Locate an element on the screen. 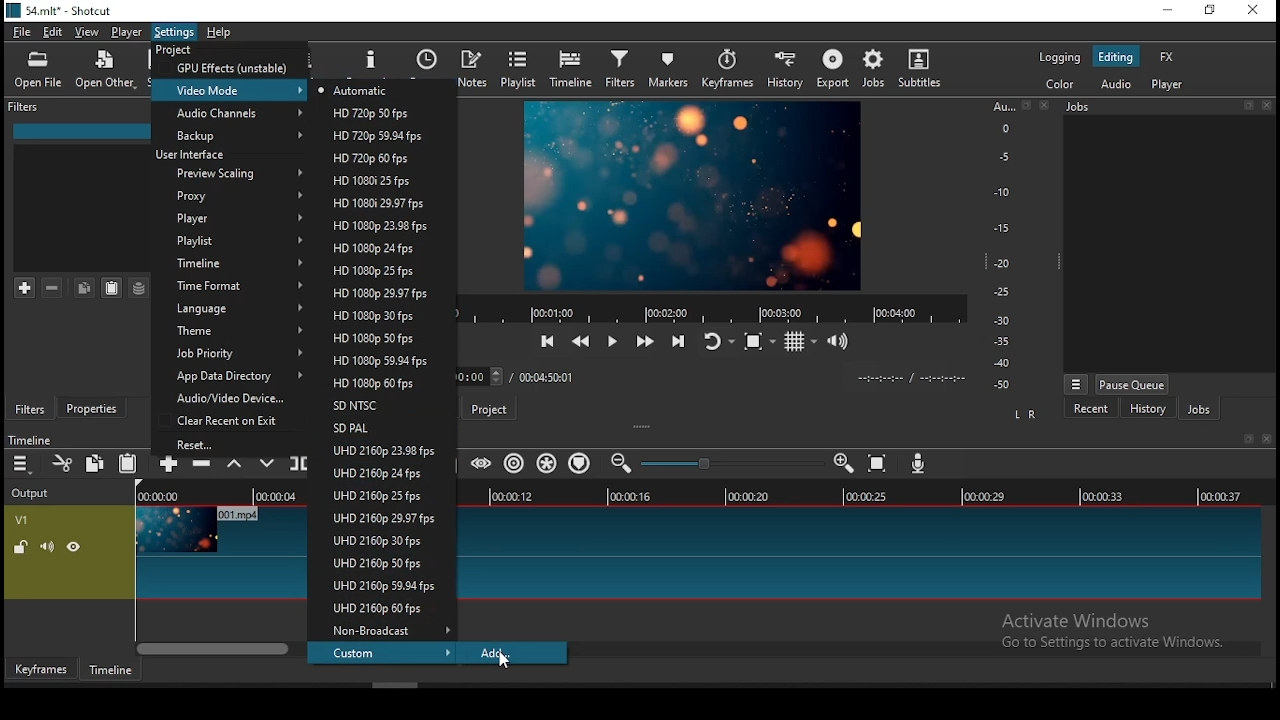 The width and height of the screenshot is (1280, 720). keyframe is located at coordinates (41, 670).